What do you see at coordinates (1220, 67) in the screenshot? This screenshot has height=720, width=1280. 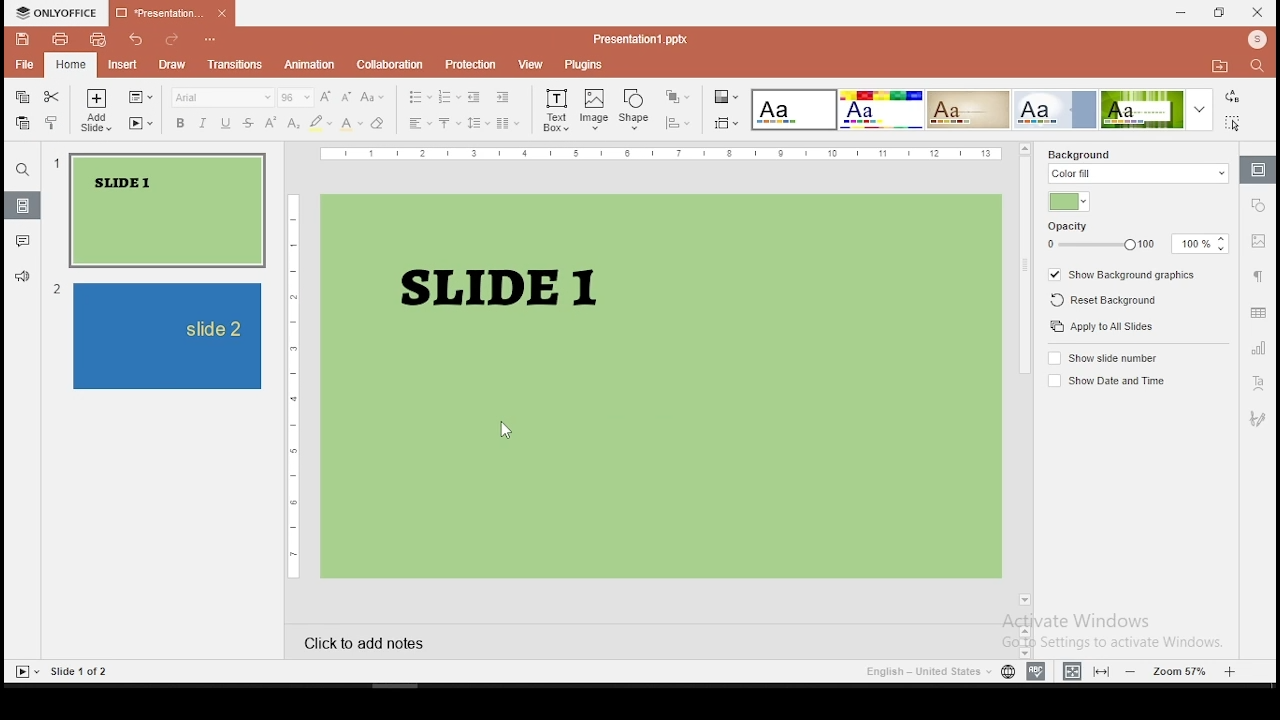 I see `open file location` at bounding box center [1220, 67].